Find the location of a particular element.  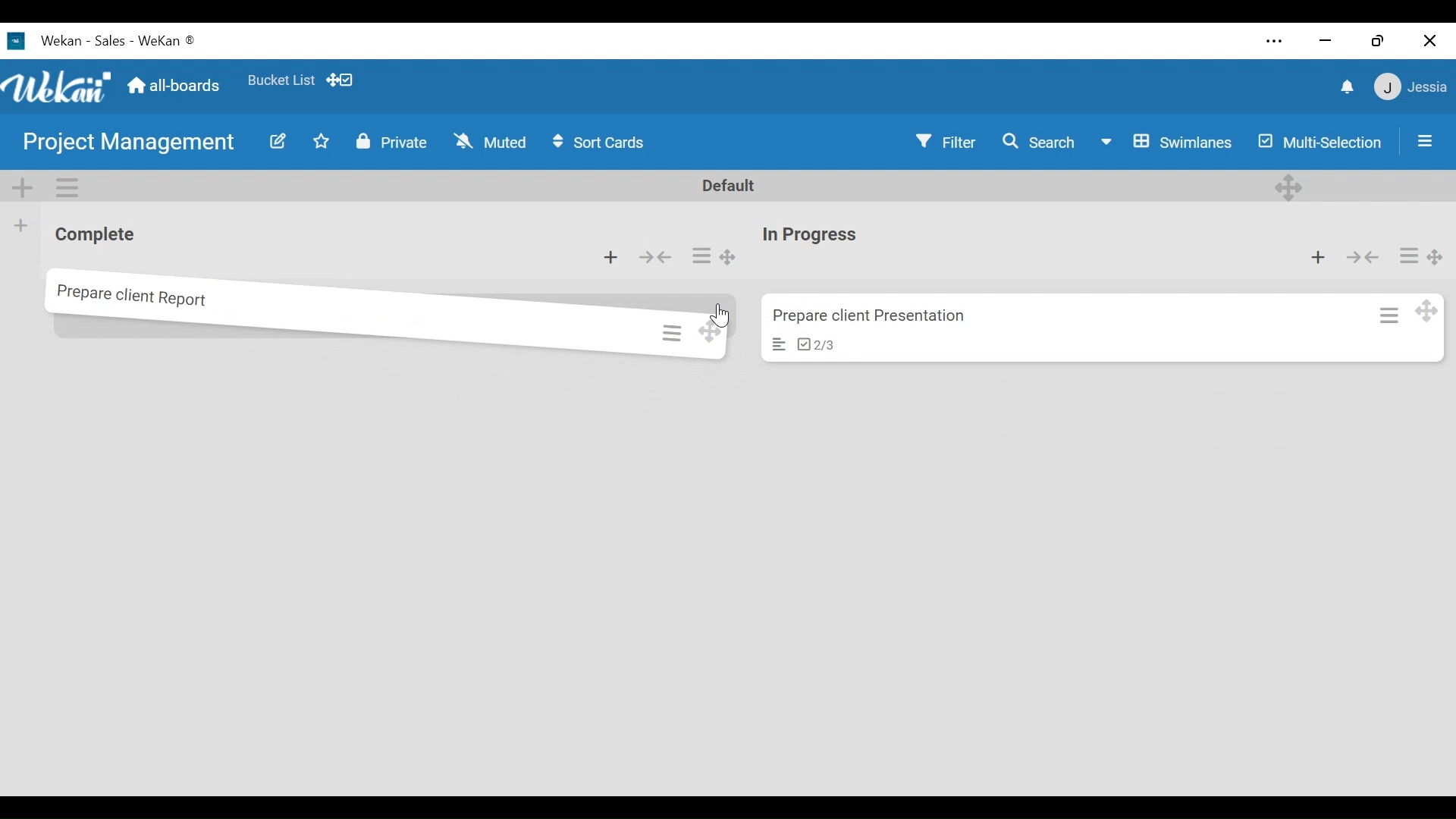

Muted is located at coordinates (486, 140).